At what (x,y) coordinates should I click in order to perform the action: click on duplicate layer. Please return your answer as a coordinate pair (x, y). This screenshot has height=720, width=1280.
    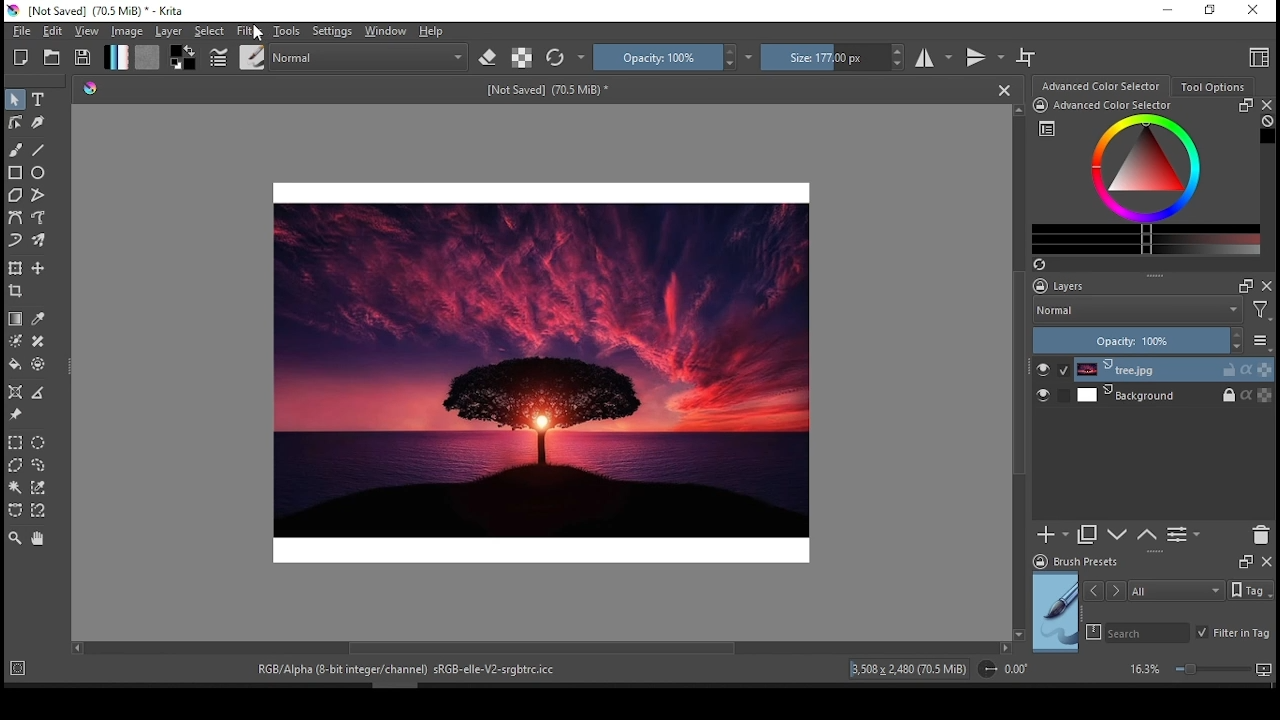
    Looking at the image, I should click on (1087, 536).